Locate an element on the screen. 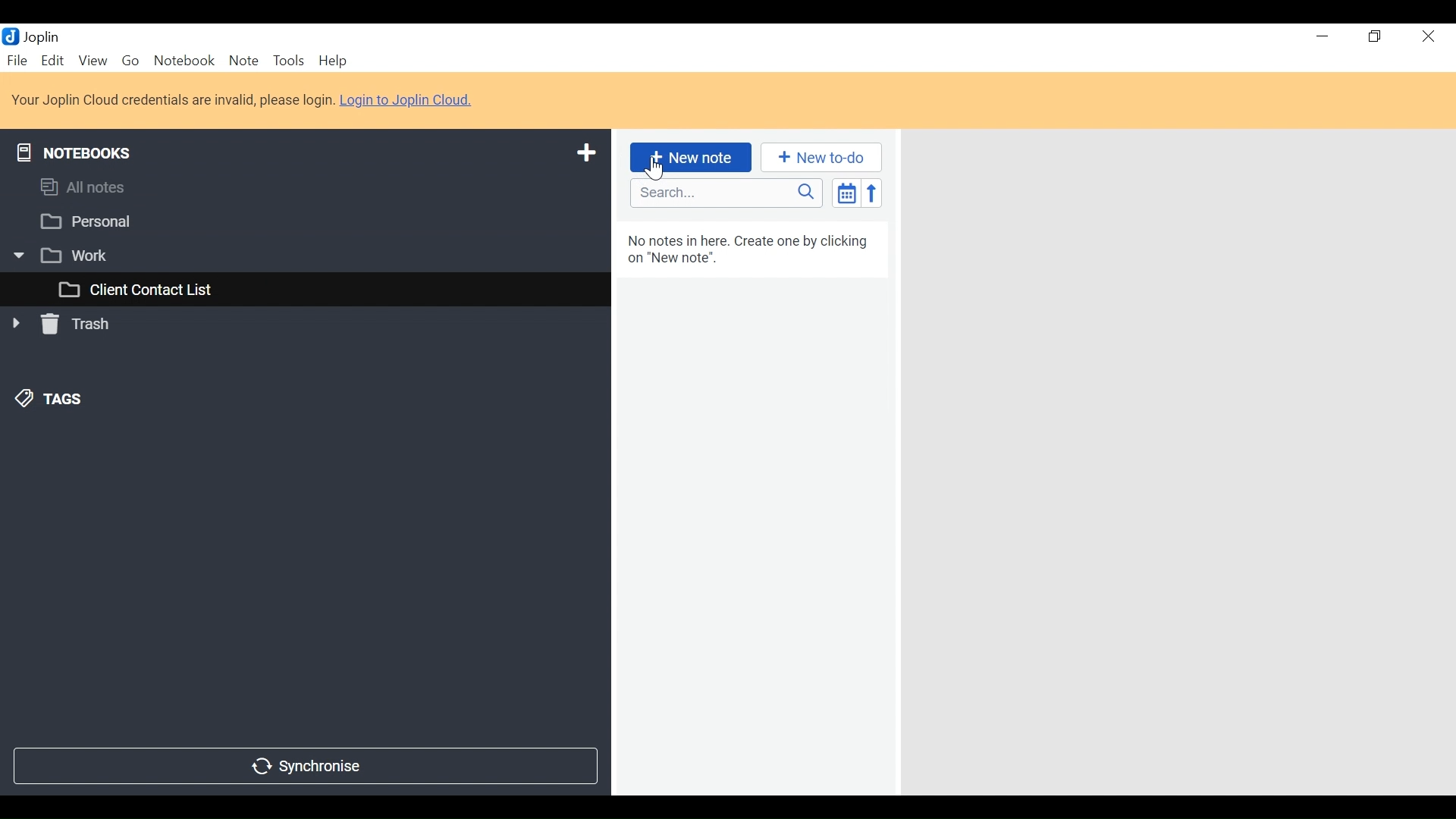 The width and height of the screenshot is (1456, 819). Tools is located at coordinates (287, 61).